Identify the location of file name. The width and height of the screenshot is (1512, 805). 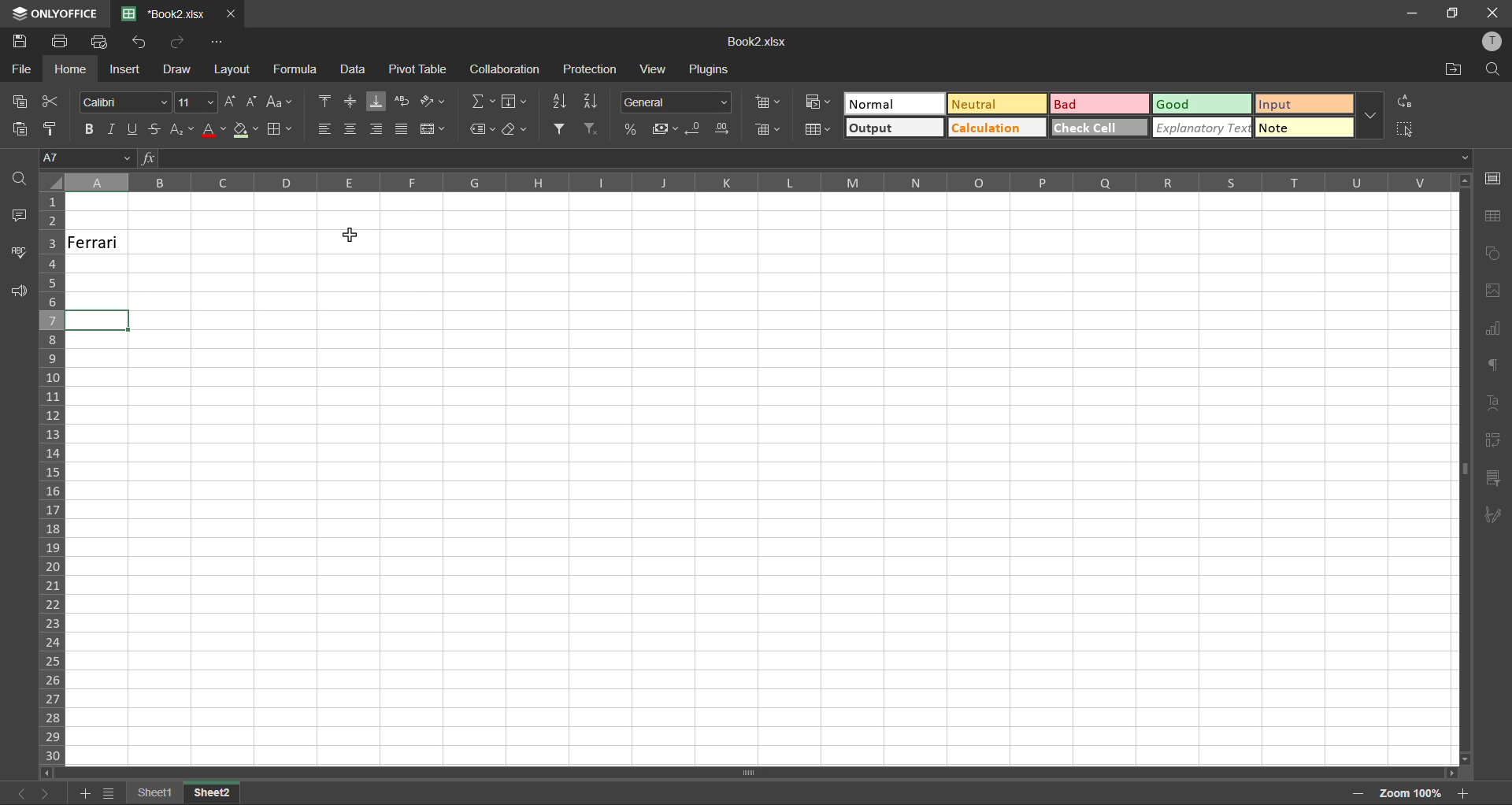
(764, 43).